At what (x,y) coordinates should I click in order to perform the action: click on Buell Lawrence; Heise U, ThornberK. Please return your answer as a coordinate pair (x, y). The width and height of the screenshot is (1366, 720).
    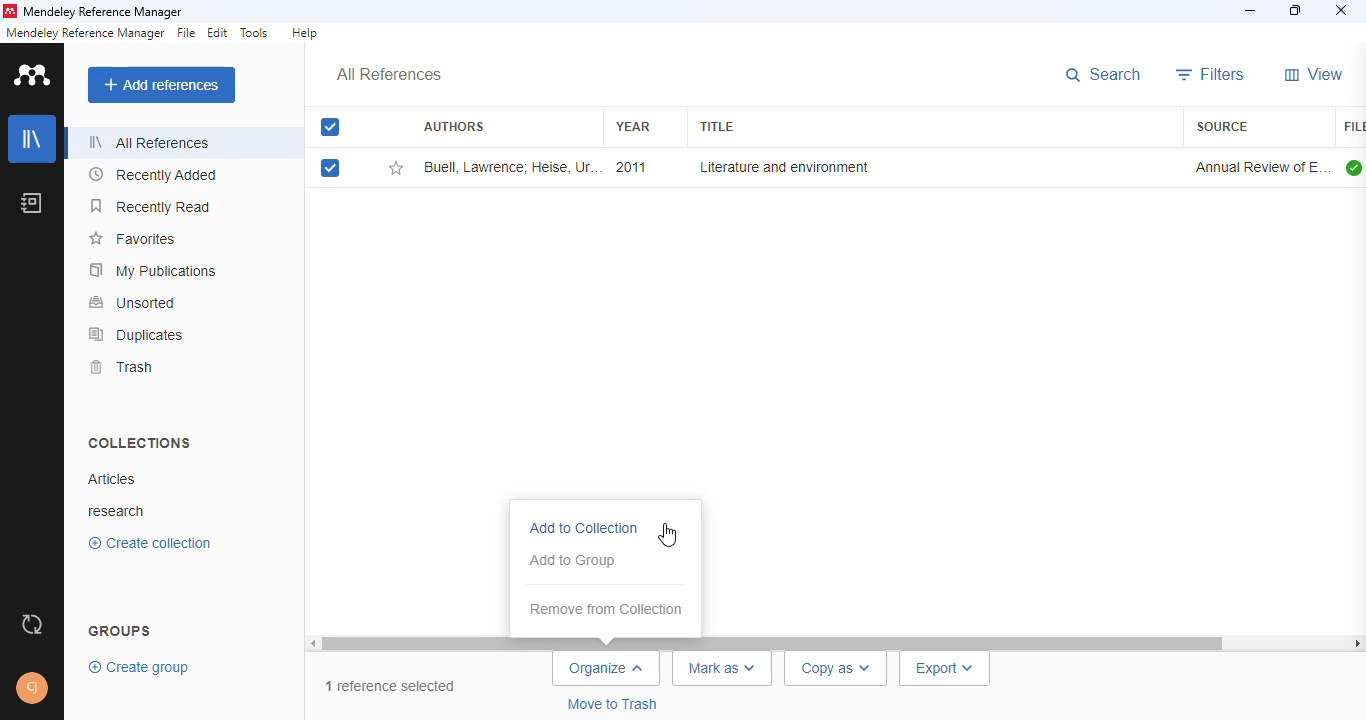
    Looking at the image, I should click on (511, 167).